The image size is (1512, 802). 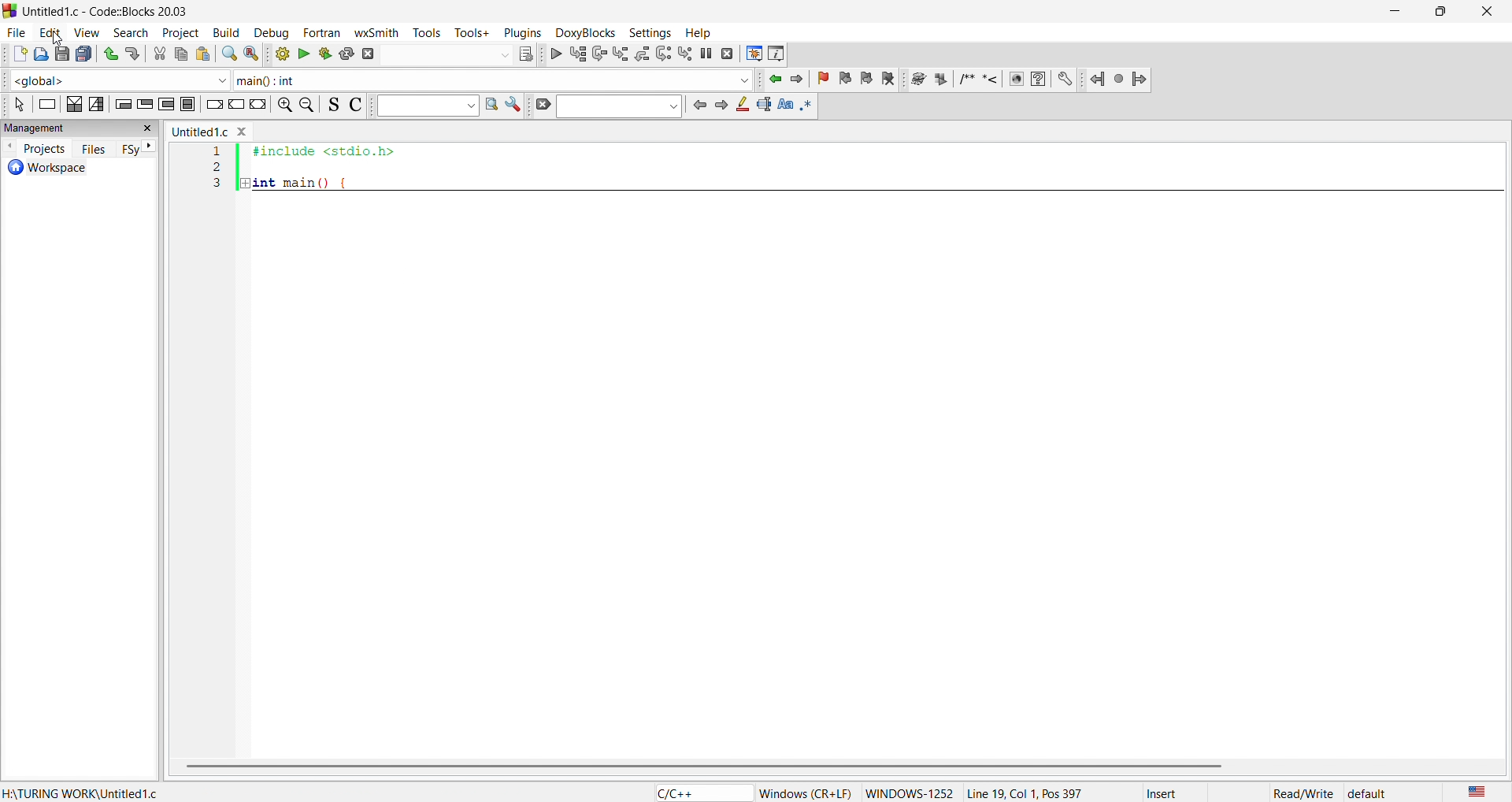 What do you see at coordinates (806, 793) in the screenshot?
I see `Windows (CR+LF)` at bounding box center [806, 793].